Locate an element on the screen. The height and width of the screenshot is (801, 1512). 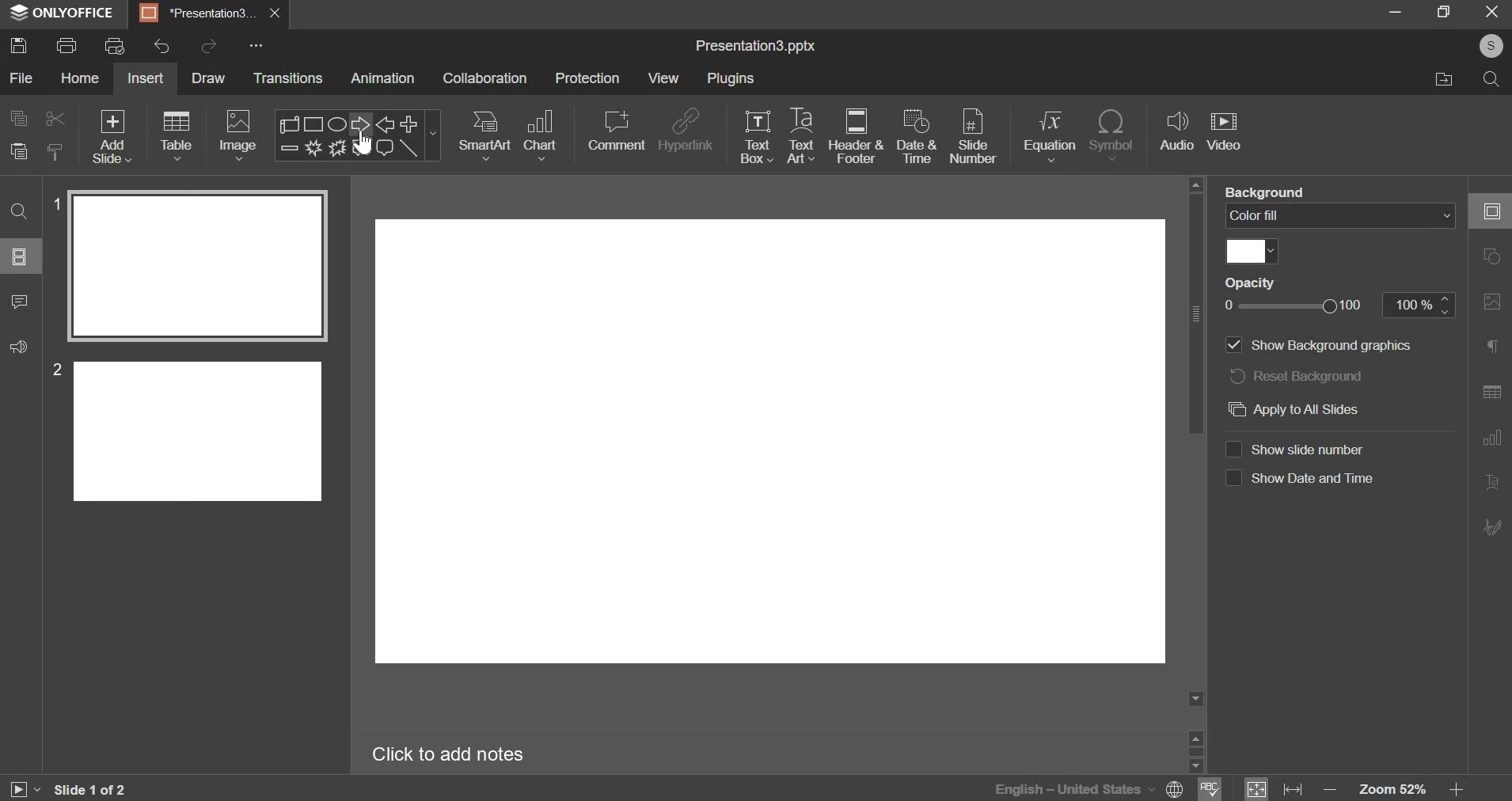
fill color is located at coordinates (1252, 252).